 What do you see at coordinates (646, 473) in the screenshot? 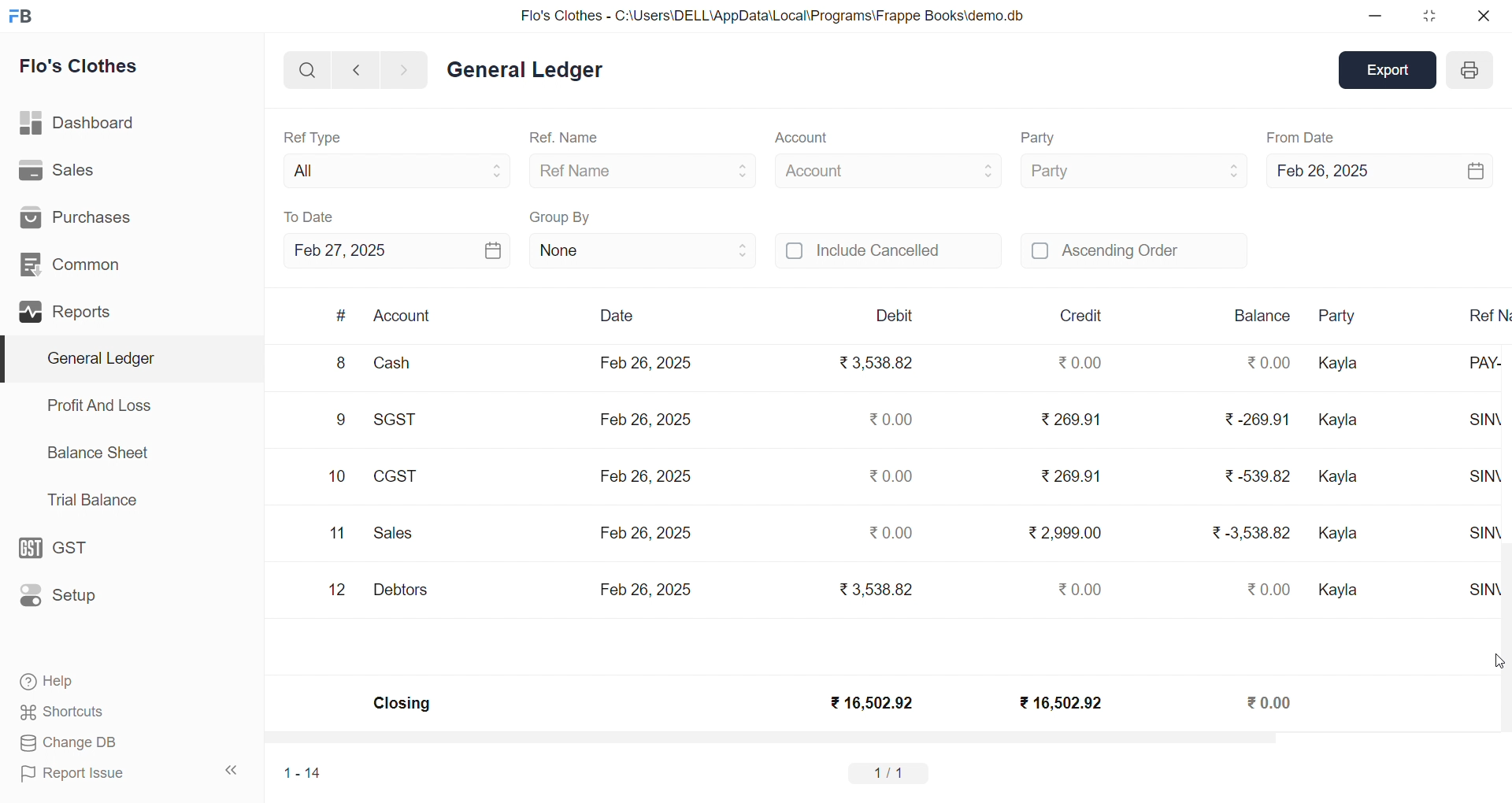
I see `Feb 26, 2025` at bounding box center [646, 473].